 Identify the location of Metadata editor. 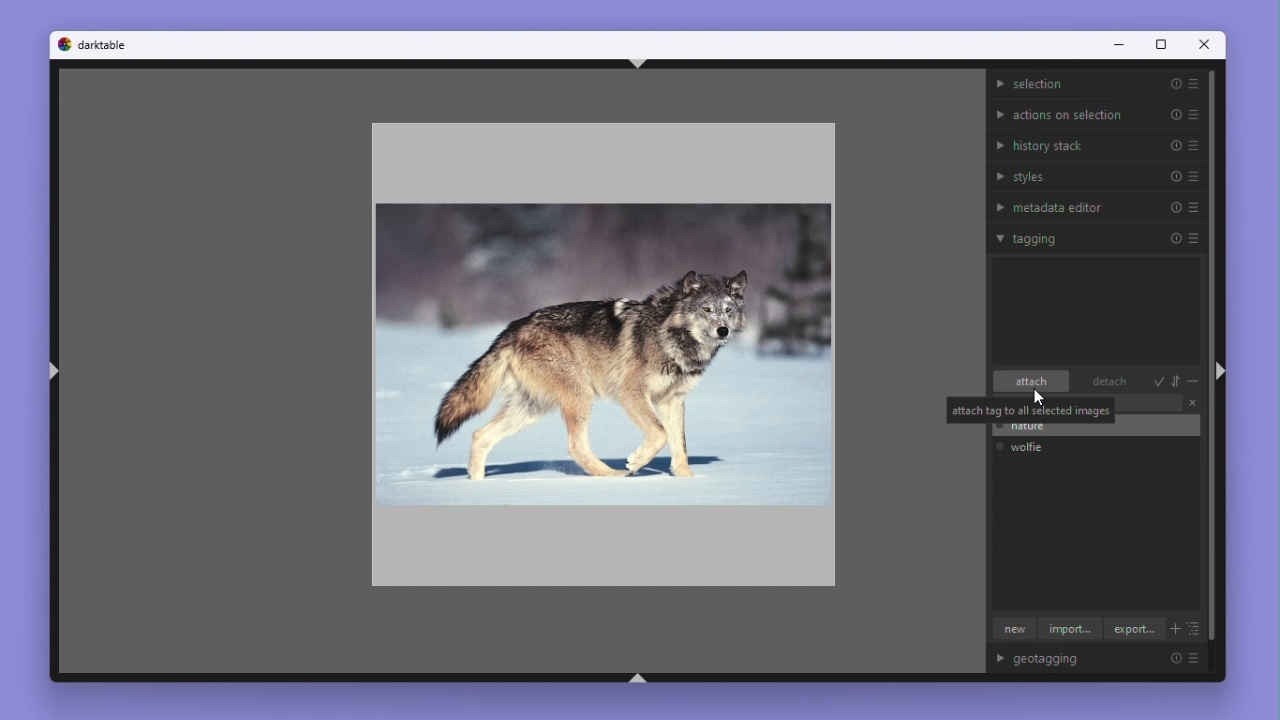
(1097, 205).